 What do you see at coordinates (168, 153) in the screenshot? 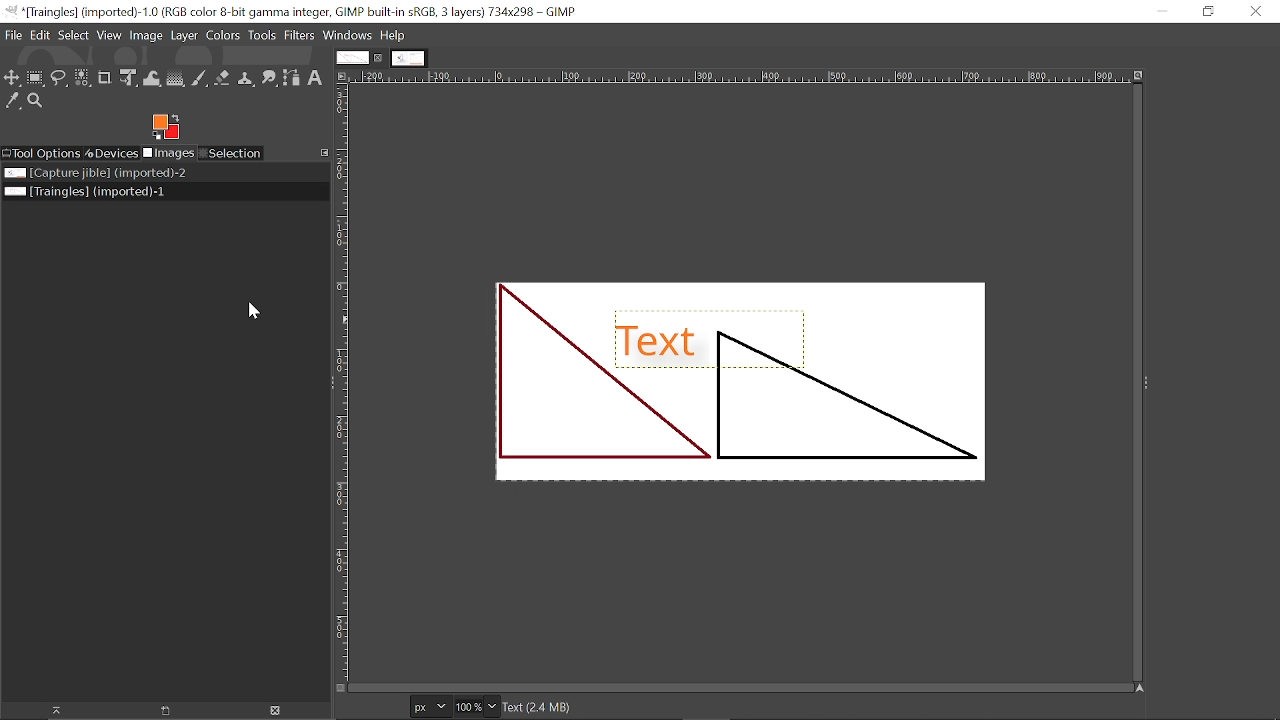
I see `Imges` at bounding box center [168, 153].